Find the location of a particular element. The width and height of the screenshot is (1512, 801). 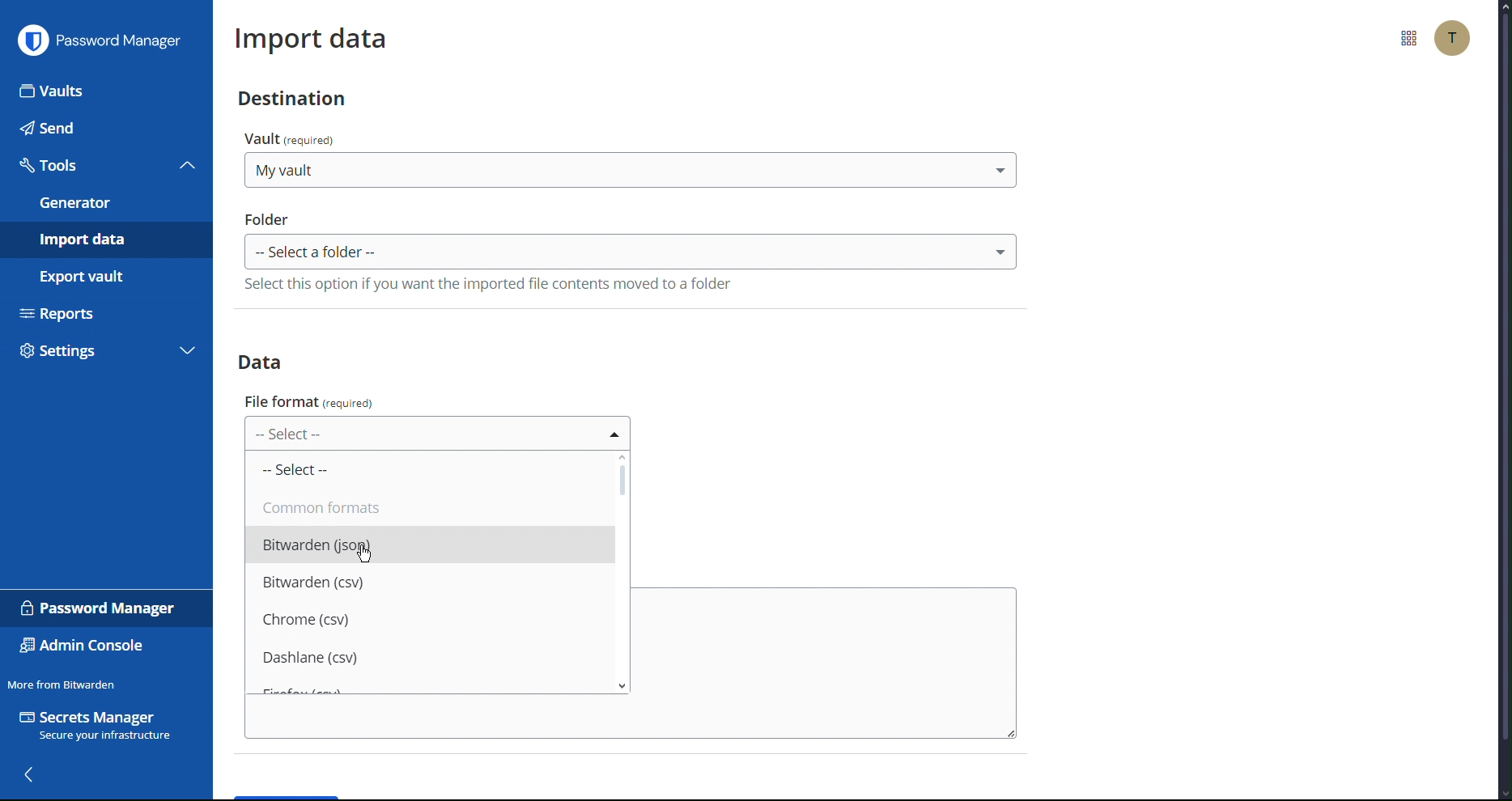

select File Format is located at coordinates (439, 433).